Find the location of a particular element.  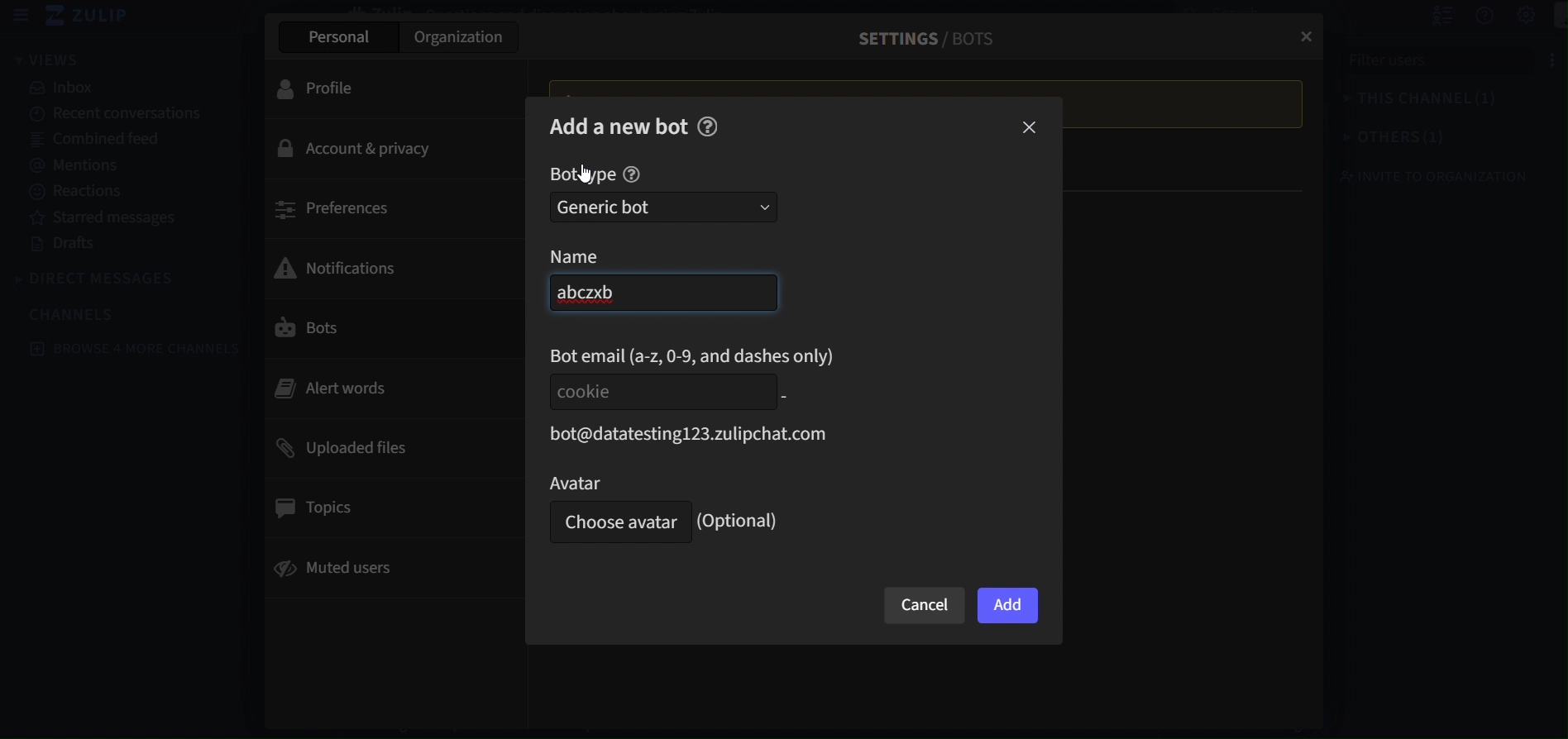

close is located at coordinates (1031, 129).